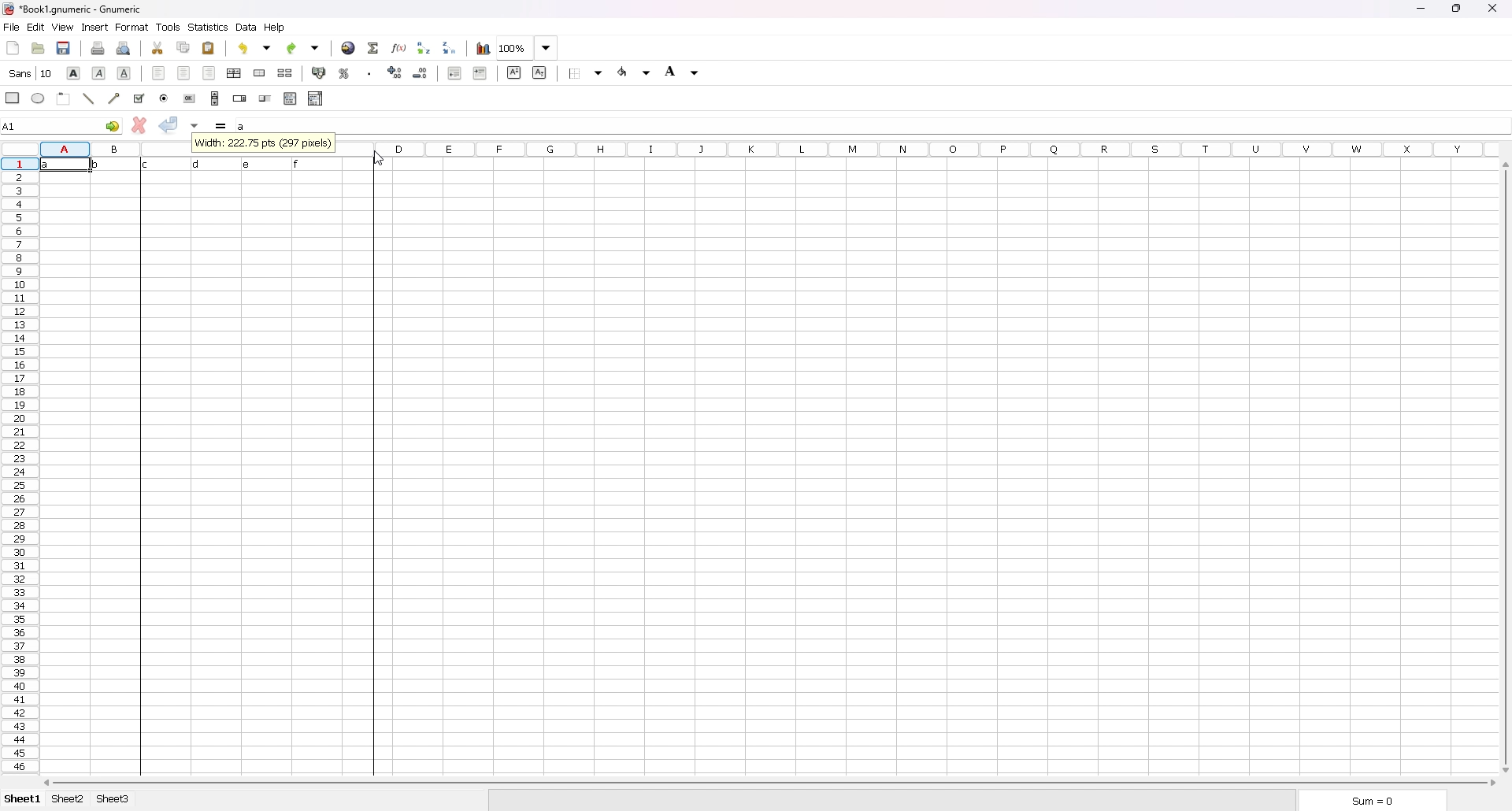  Describe the element at coordinates (192, 165) in the screenshot. I see `data` at that location.